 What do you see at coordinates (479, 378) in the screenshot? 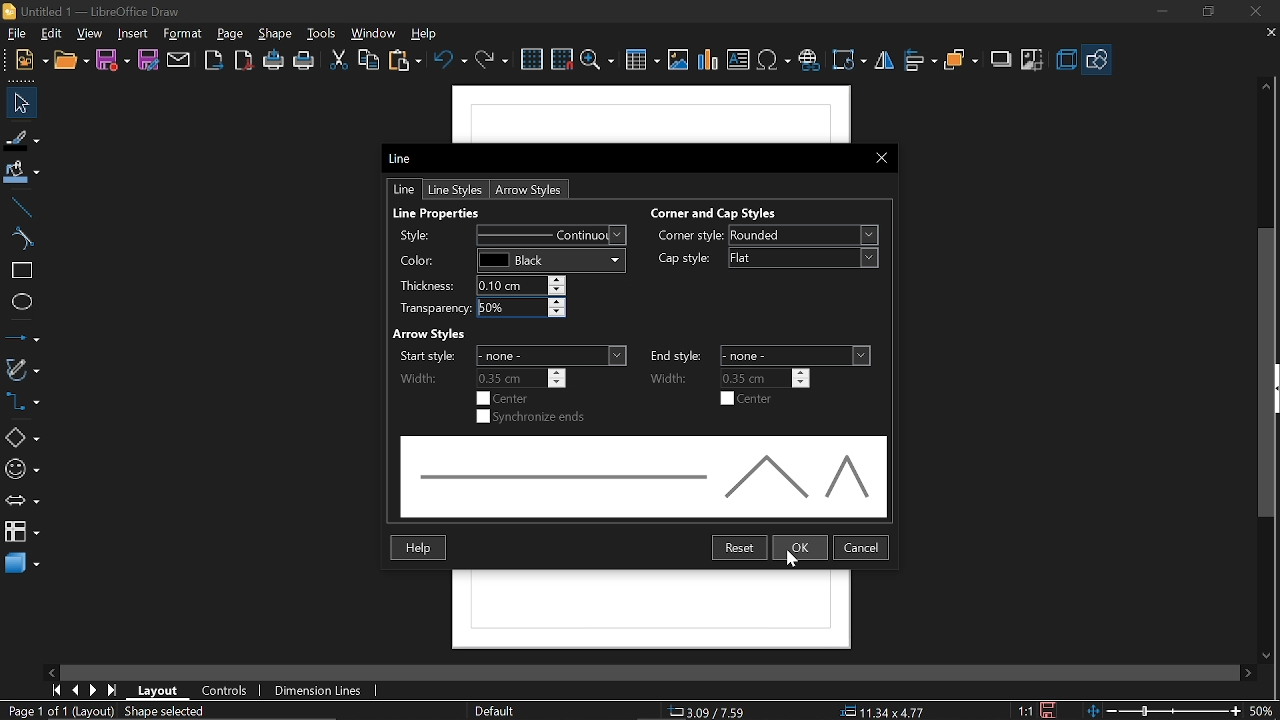
I see `Start Width` at bounding box center [479, 378].